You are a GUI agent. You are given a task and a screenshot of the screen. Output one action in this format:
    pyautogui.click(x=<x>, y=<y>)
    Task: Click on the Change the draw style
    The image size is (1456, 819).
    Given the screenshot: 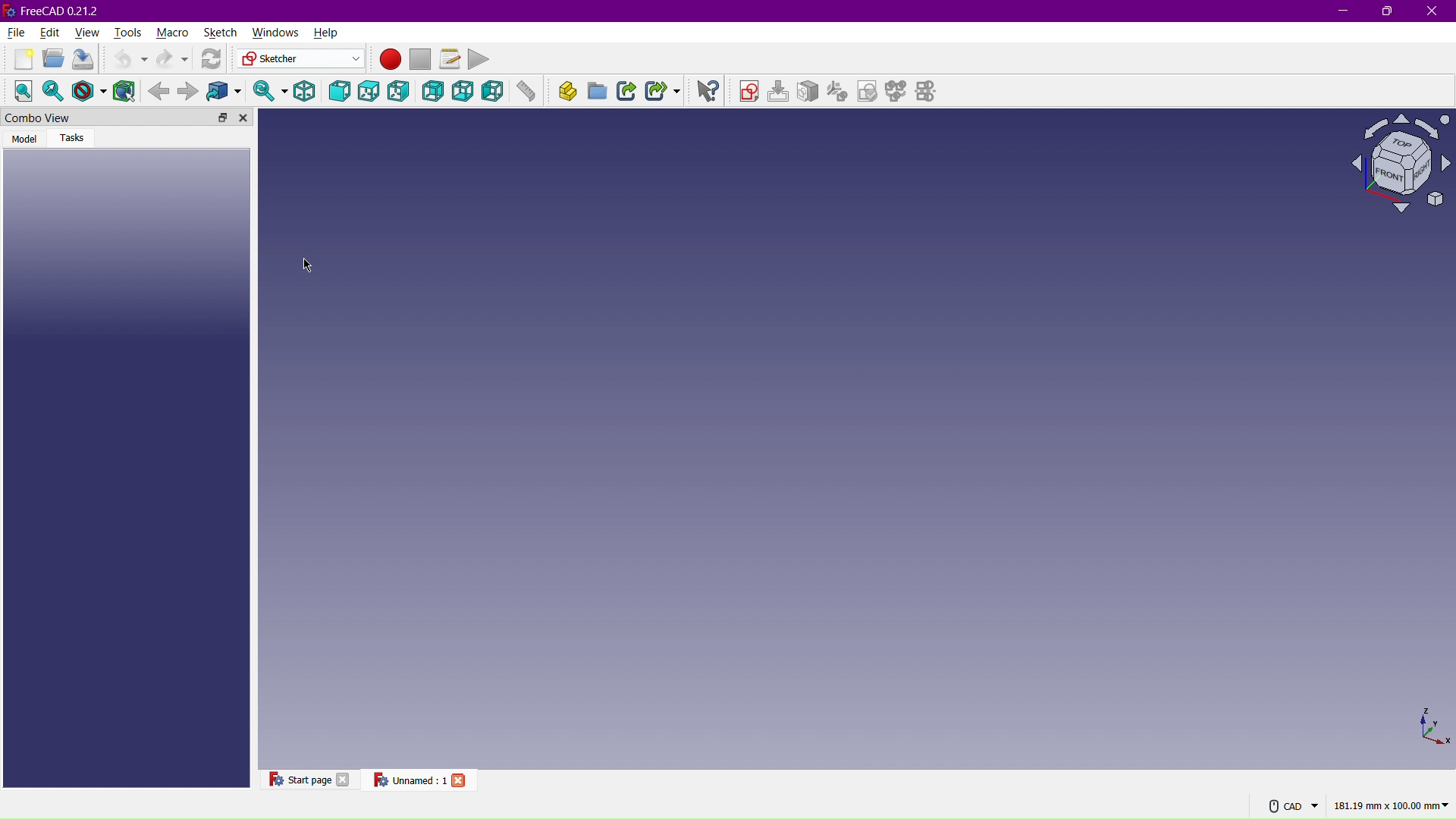 What is the action you would take?
    pyautogui.click(x=88, y=90)
    